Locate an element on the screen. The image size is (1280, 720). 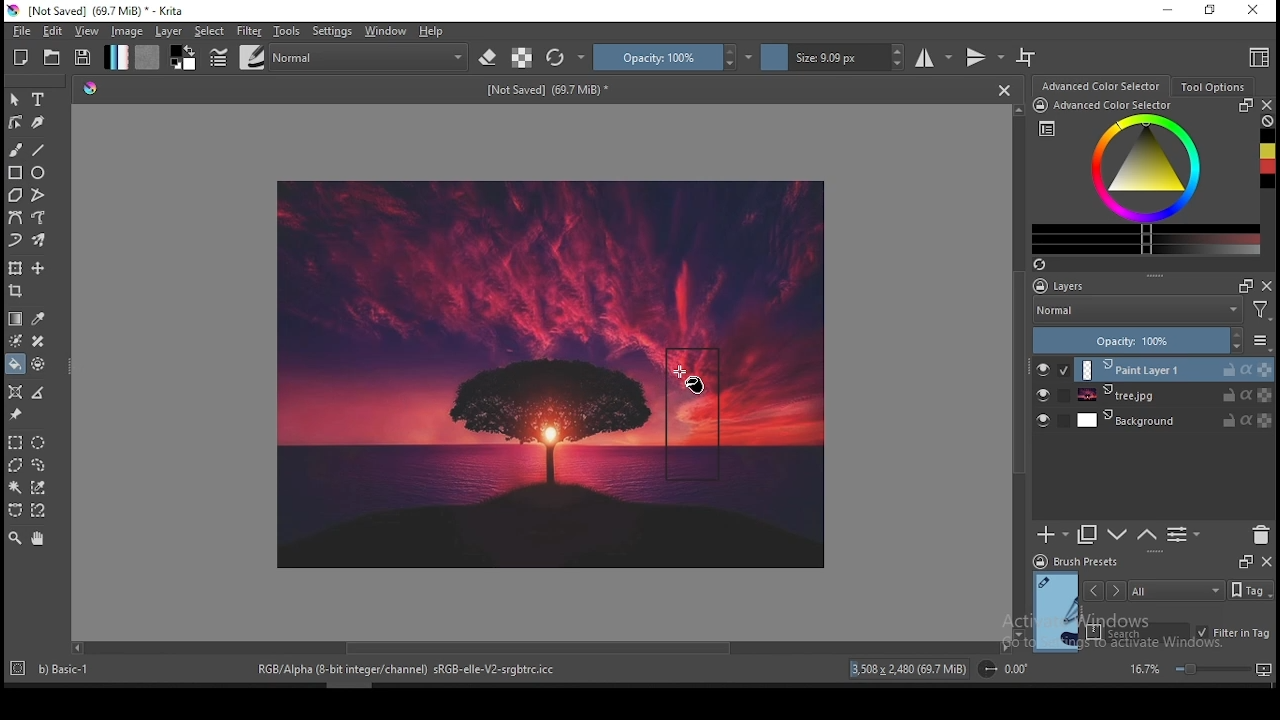
wrap around mode is located at coordinates (1027, 57).